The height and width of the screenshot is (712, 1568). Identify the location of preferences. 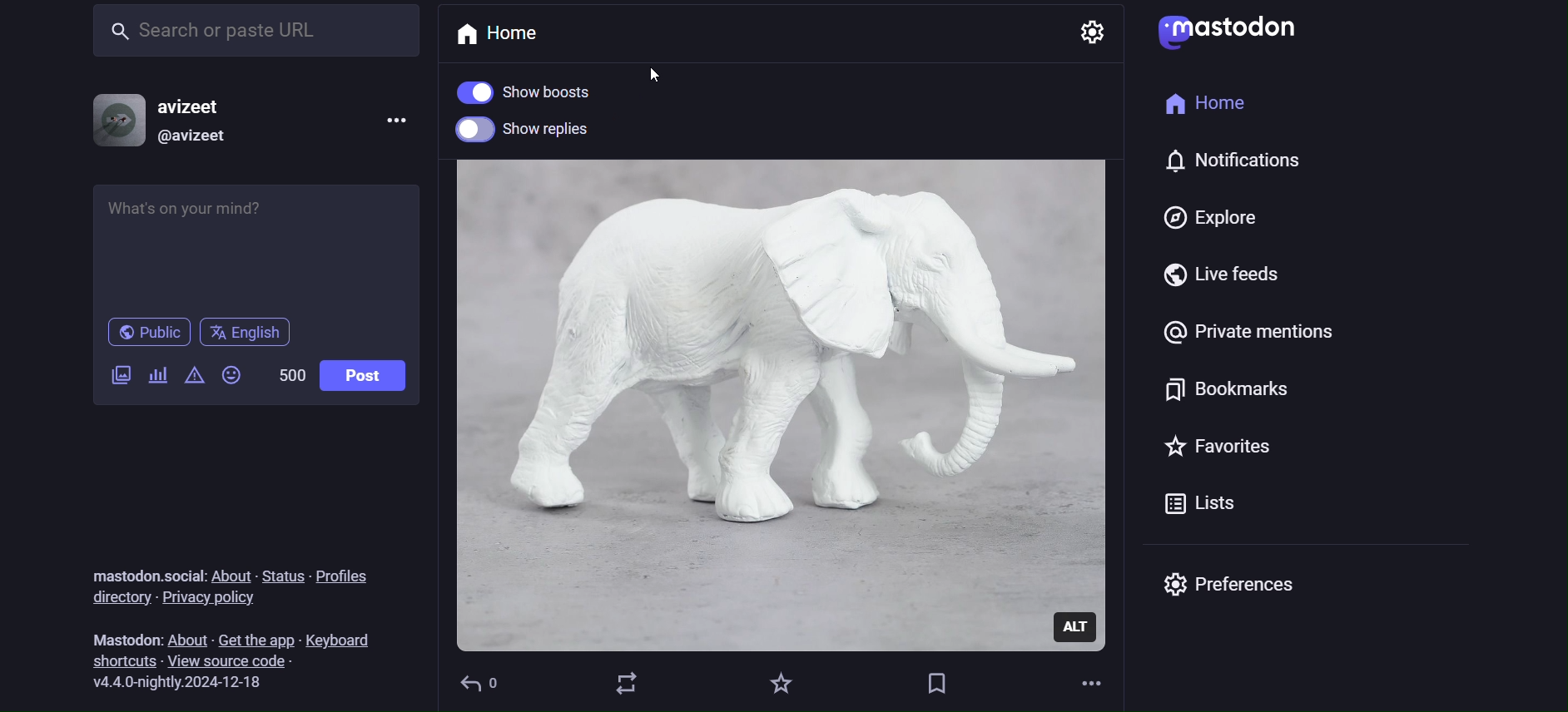
(1243, 591).